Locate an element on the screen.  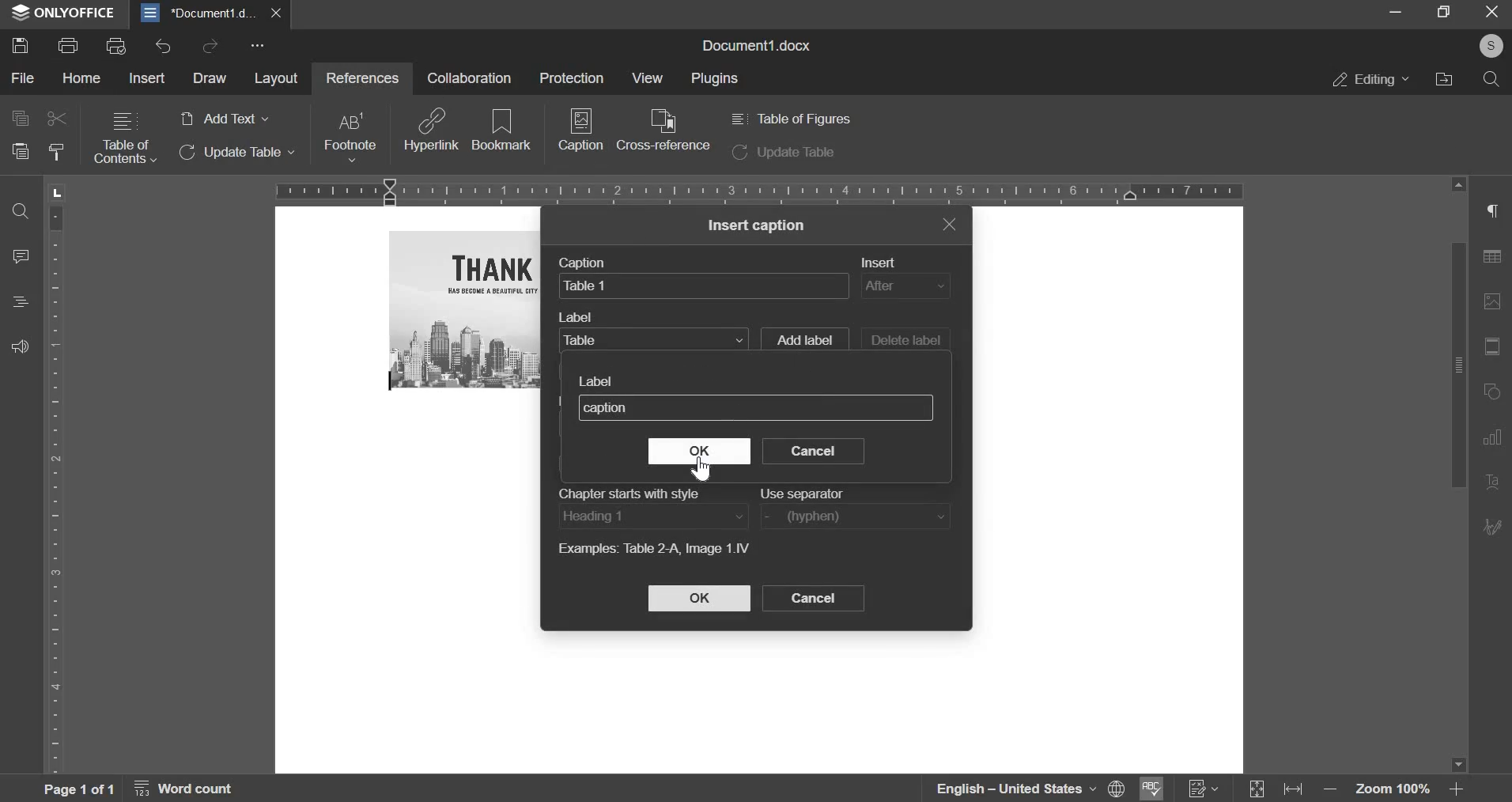
table of contents is located at coordinates (125, 138).